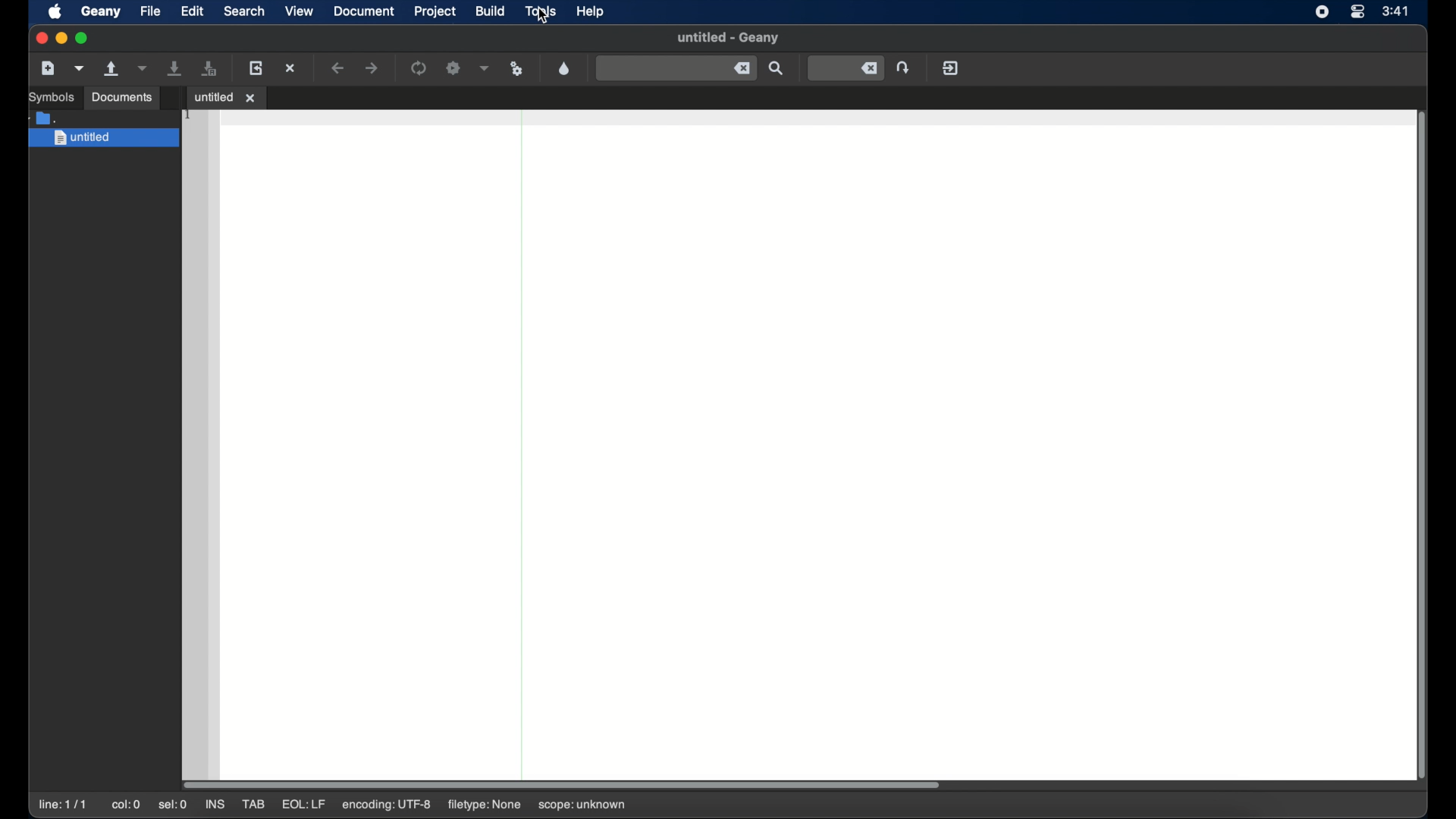 The image size is (1456, 819). Describe the element at coordinates (80, 69) in the screenshot. I see `create a new file from template` at that location.